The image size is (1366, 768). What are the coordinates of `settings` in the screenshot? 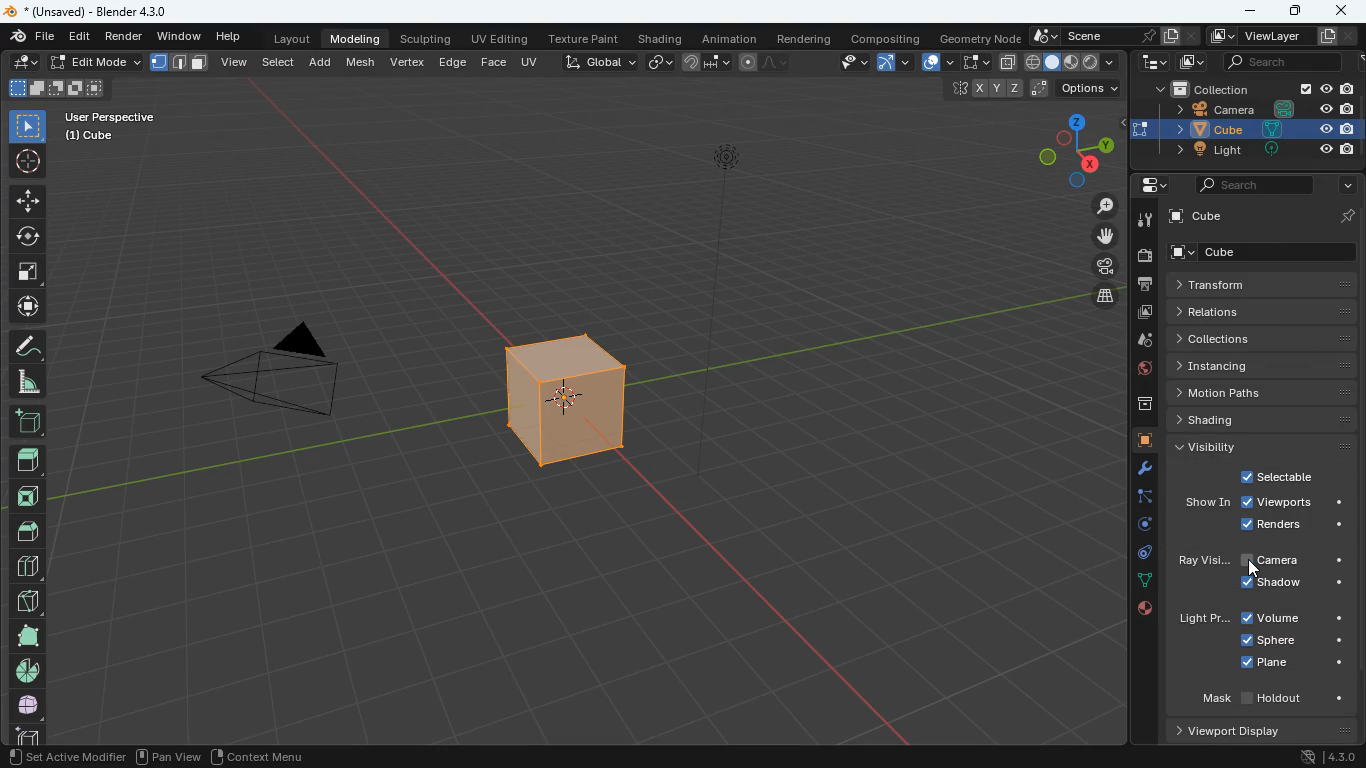 It's located at (1149, 184).